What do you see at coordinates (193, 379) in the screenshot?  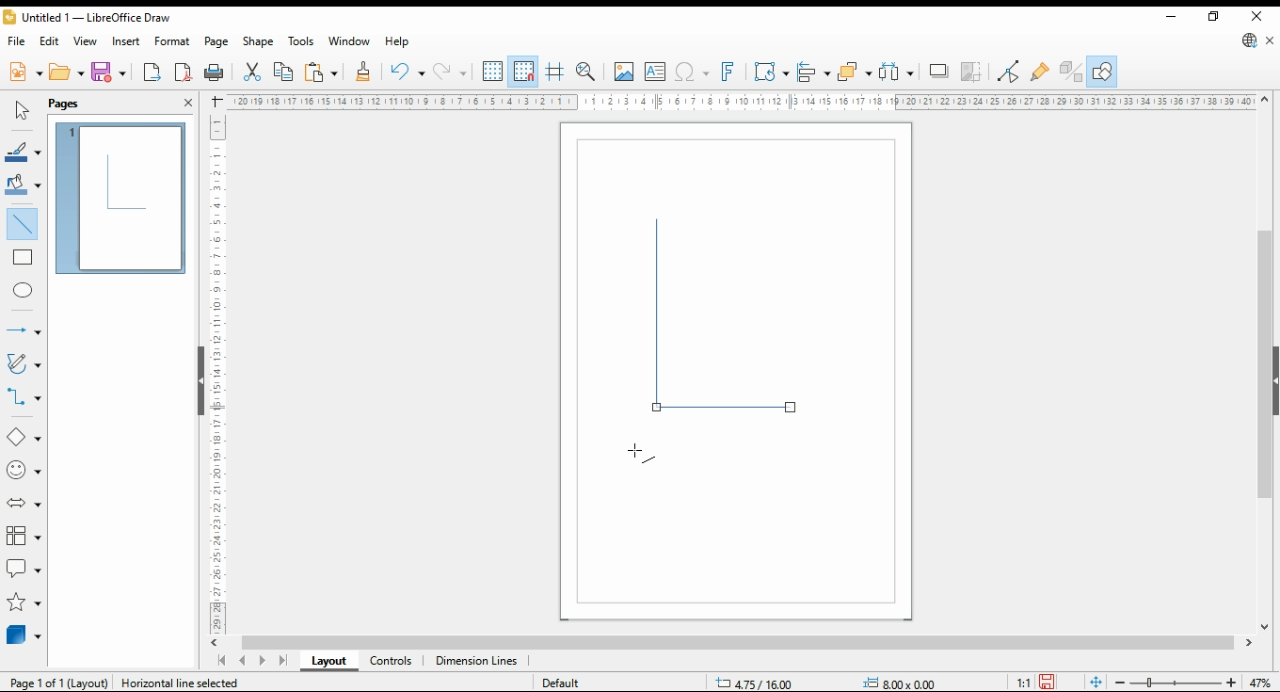 I see `scroll bar` at bounding box center [193, 379].